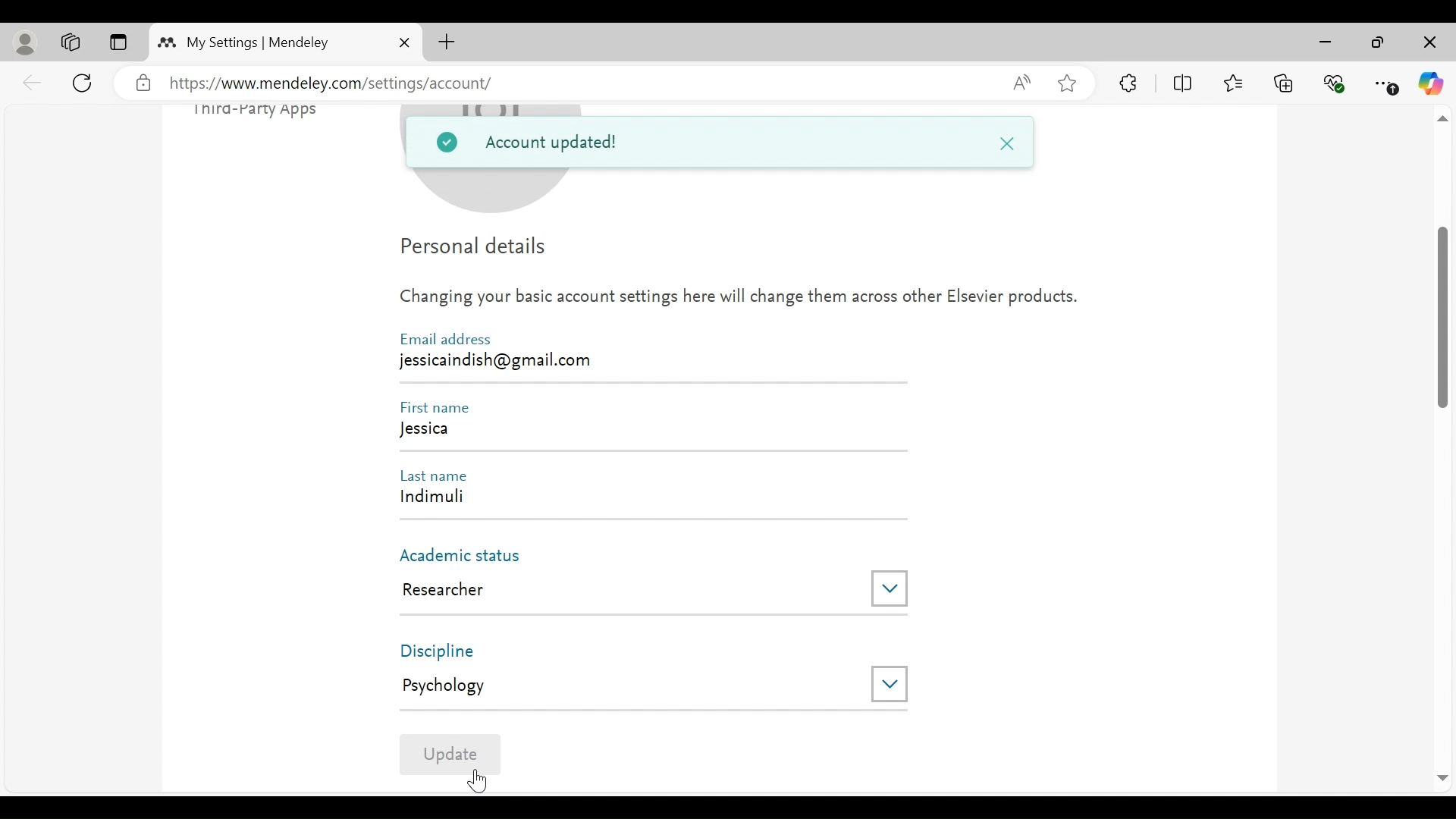  What do you see at coordinates (143, 83) in the screenshot?
I see `verified` at bounding box center [143, 83].